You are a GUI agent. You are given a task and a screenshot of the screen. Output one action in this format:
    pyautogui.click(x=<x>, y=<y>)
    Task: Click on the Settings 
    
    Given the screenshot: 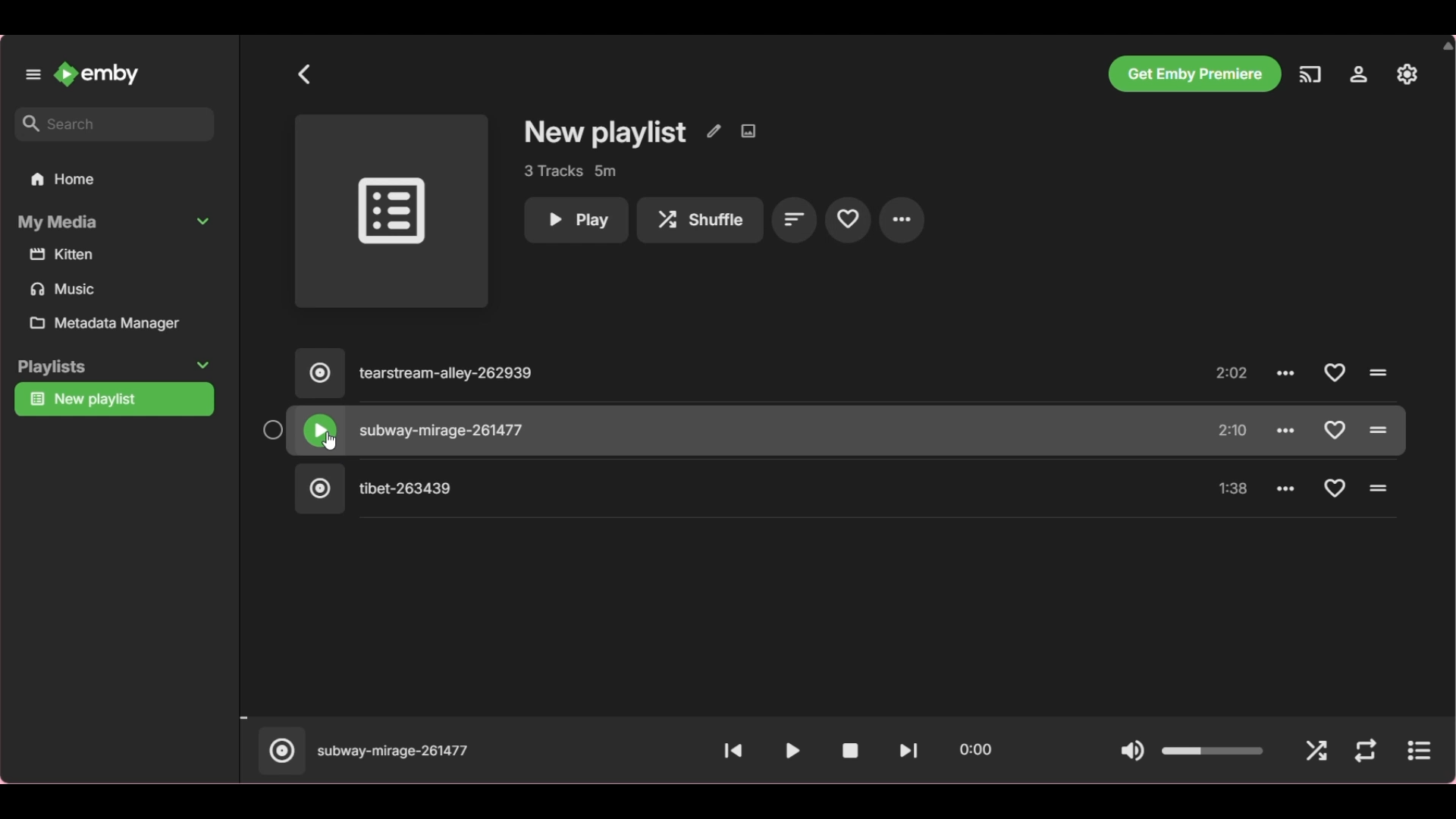 What is the action you would take?
    pyautogui.click(x=1358, y=74)
    